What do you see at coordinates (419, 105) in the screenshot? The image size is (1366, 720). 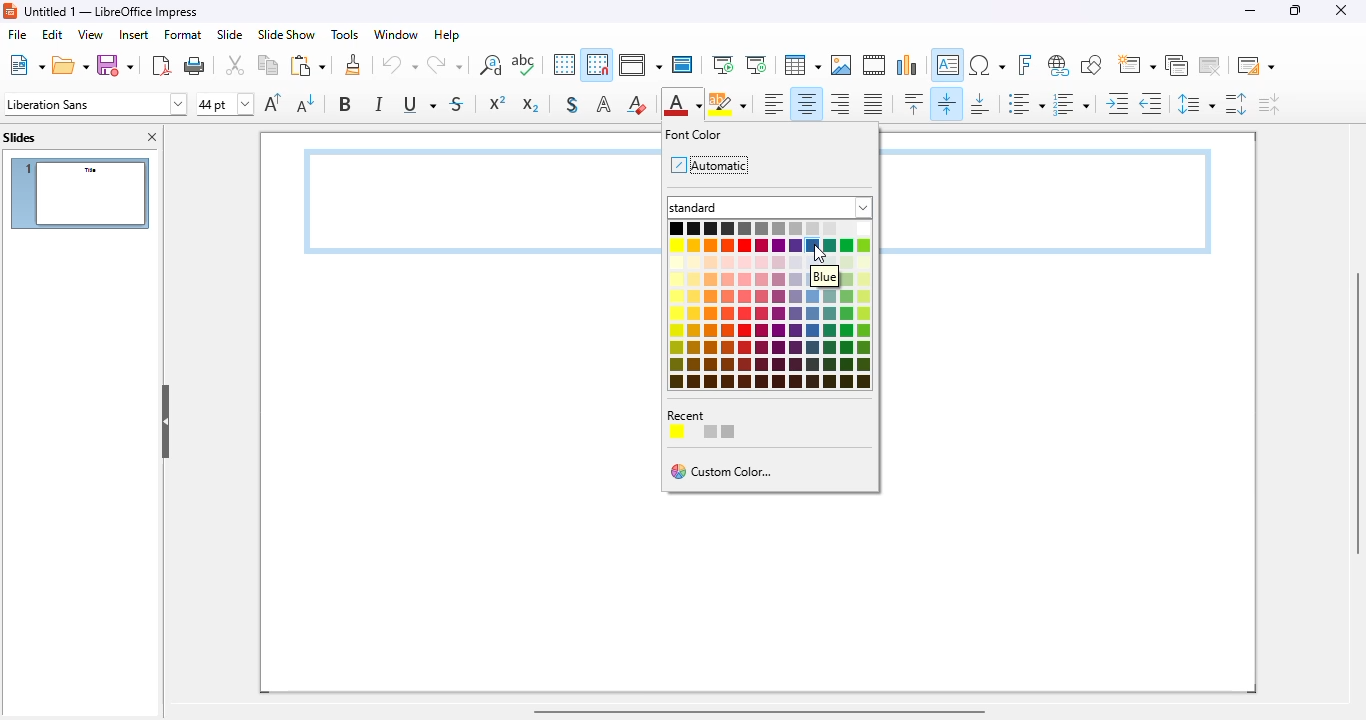 I see `underline` at bounding box center [419, 105].